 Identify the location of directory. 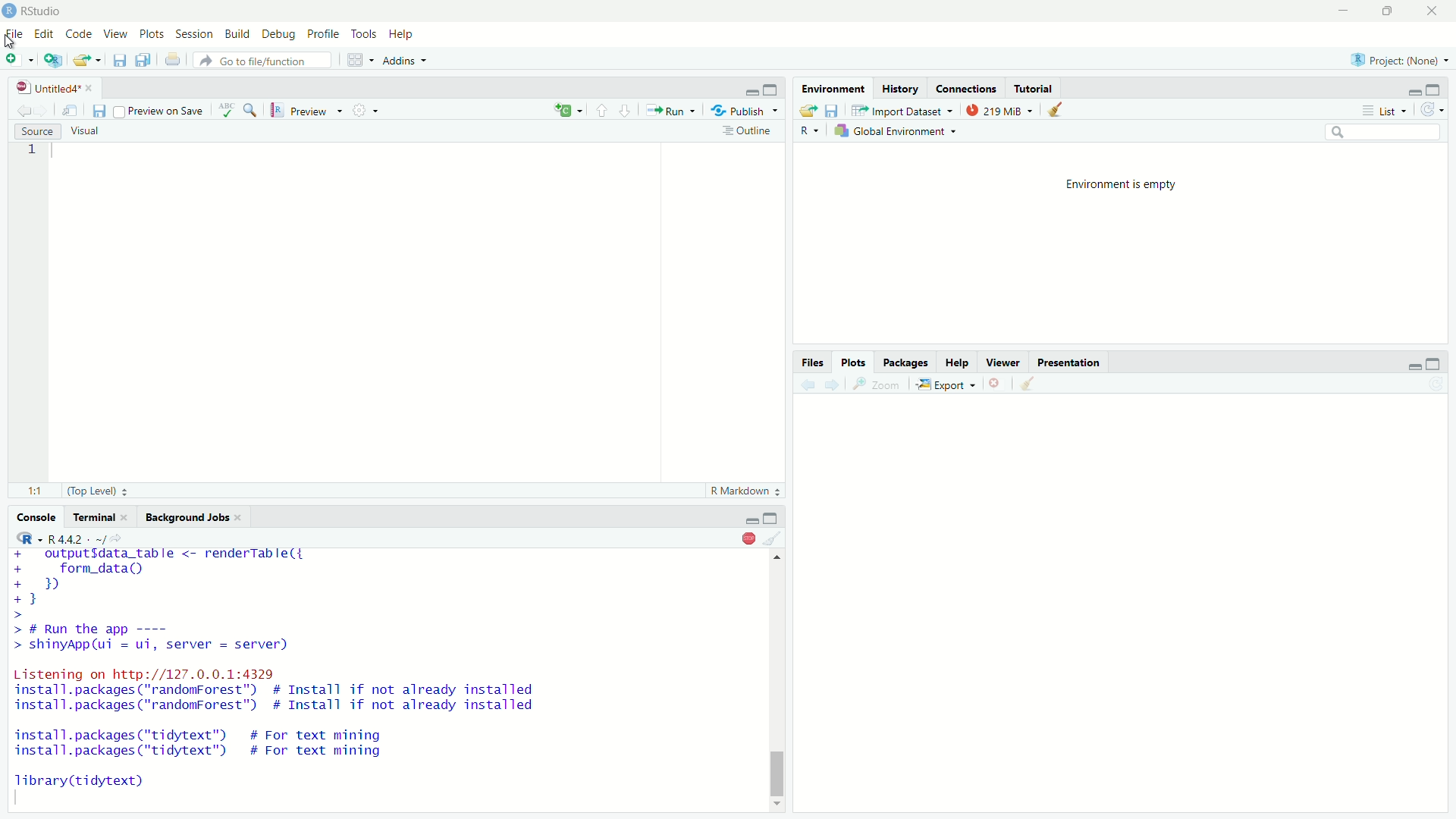
(117, 538).